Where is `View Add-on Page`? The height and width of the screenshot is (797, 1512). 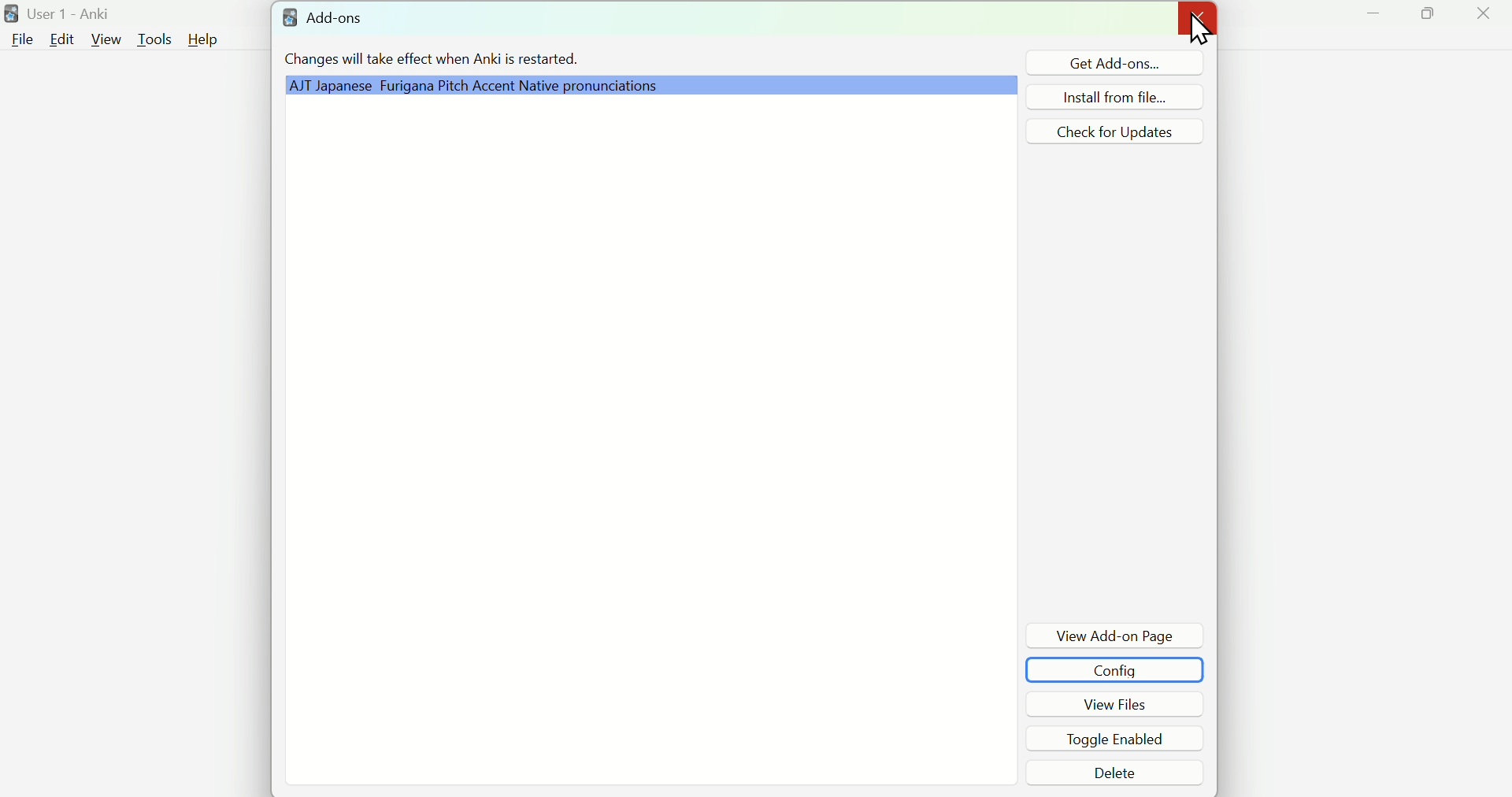 View Add-on Page is located at coordinates (1117, 638).